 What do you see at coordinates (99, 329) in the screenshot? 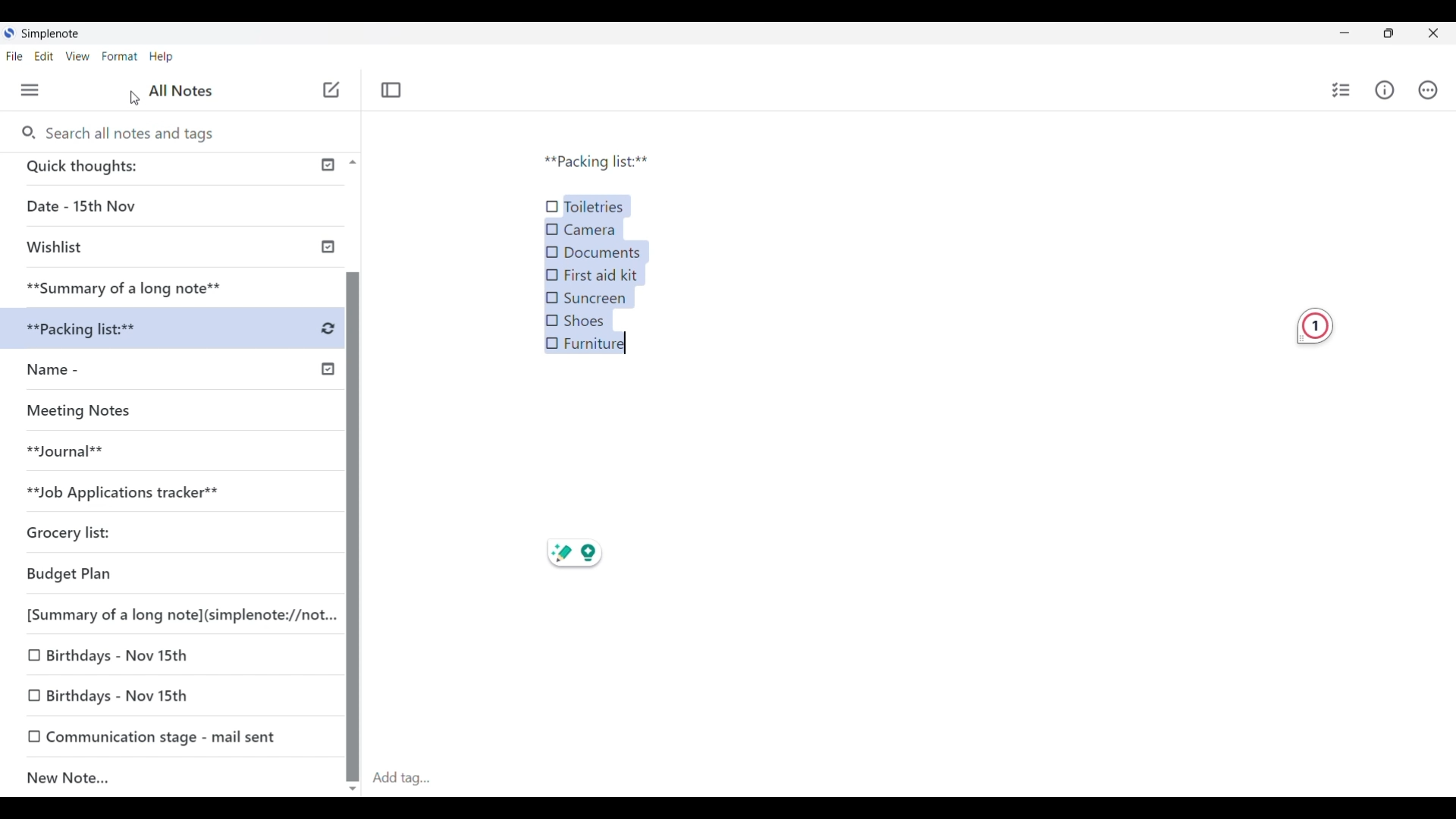
I see `xx
Packi
acking list:**` at bounding box center [99, 329].